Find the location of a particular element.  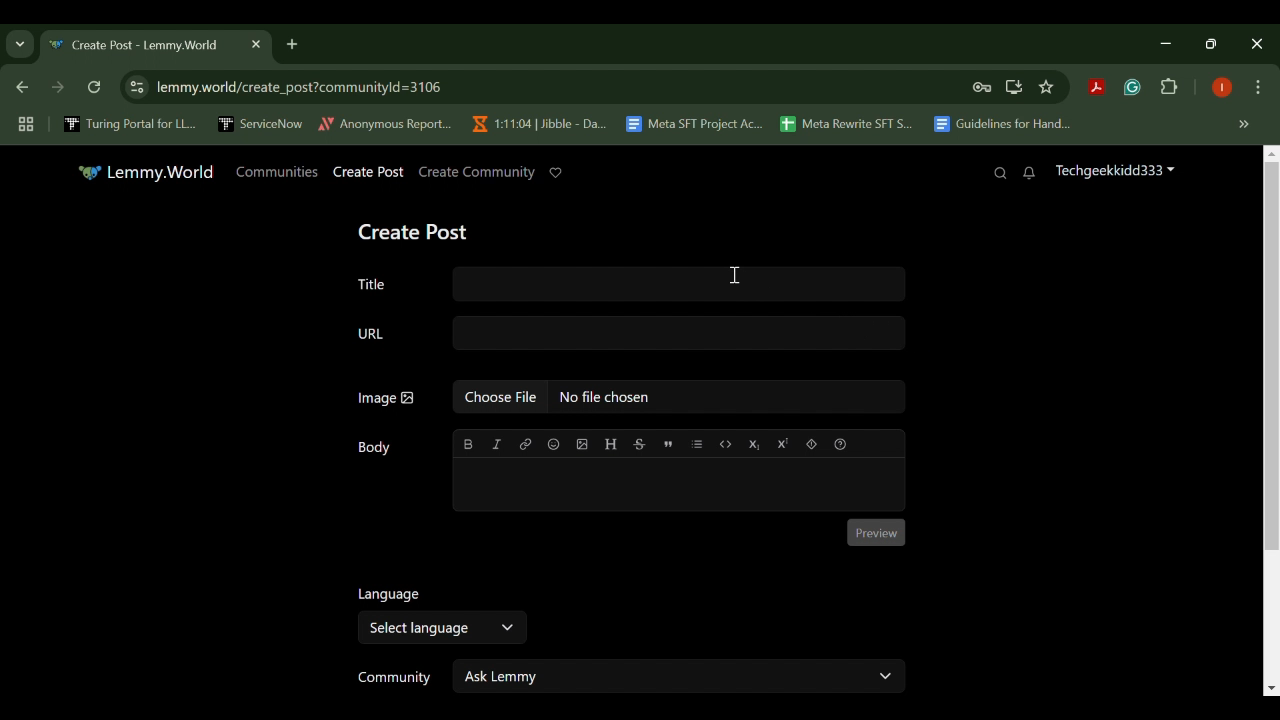

link is located at coordinates (526, 444).